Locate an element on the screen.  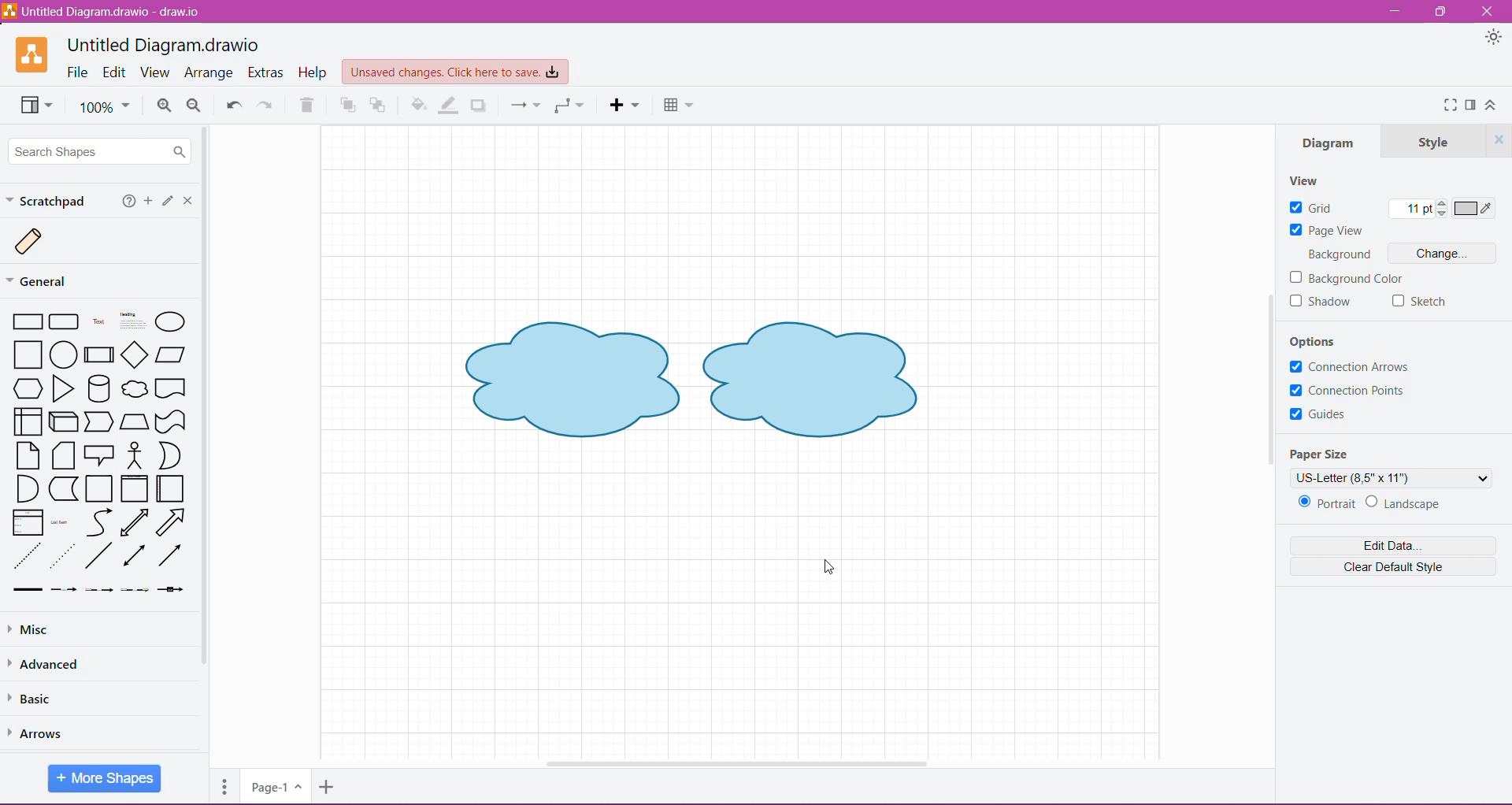
100% is located at coordinates (105, 108).